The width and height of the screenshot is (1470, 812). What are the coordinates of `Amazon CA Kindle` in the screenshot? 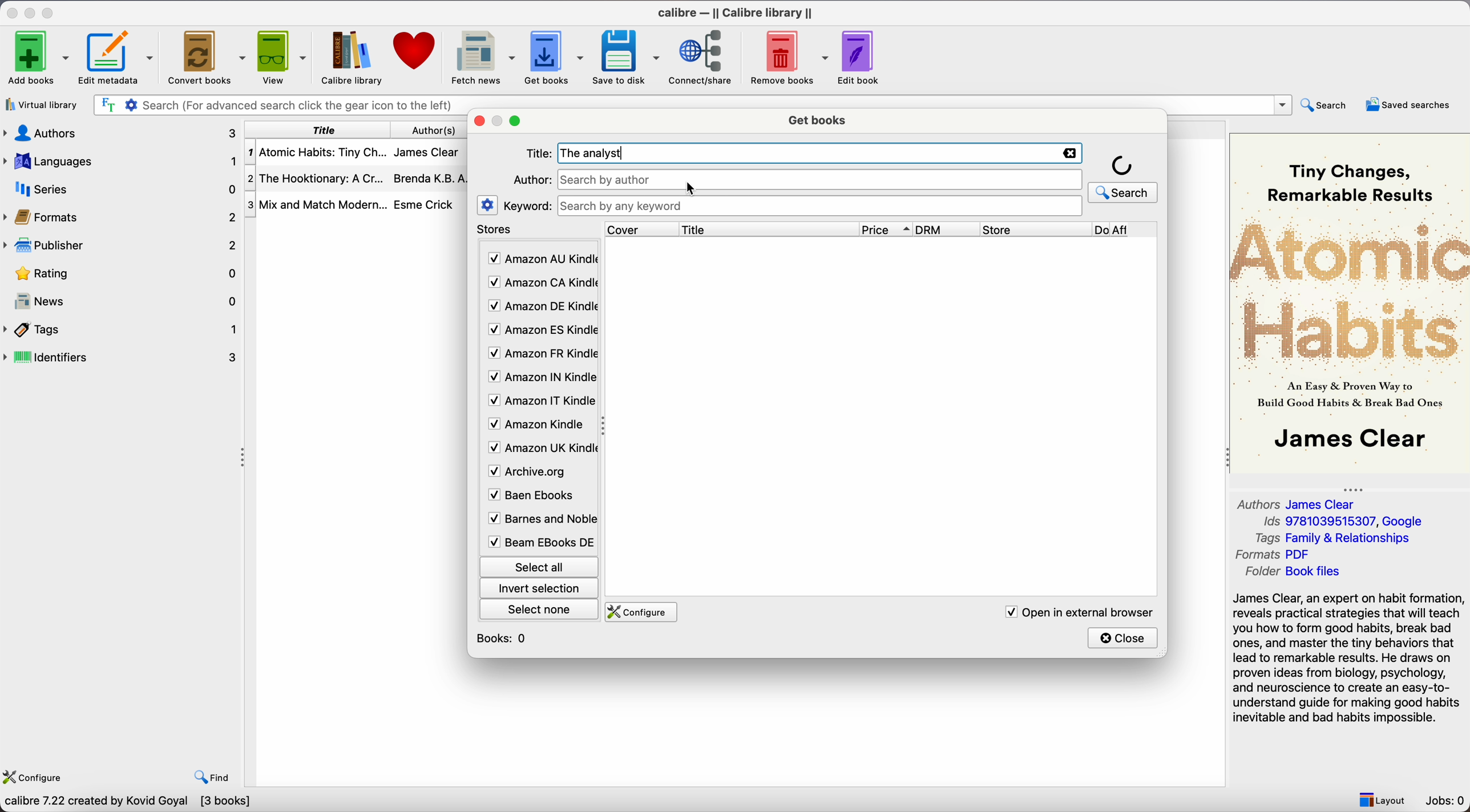 It's located at (541, 282).